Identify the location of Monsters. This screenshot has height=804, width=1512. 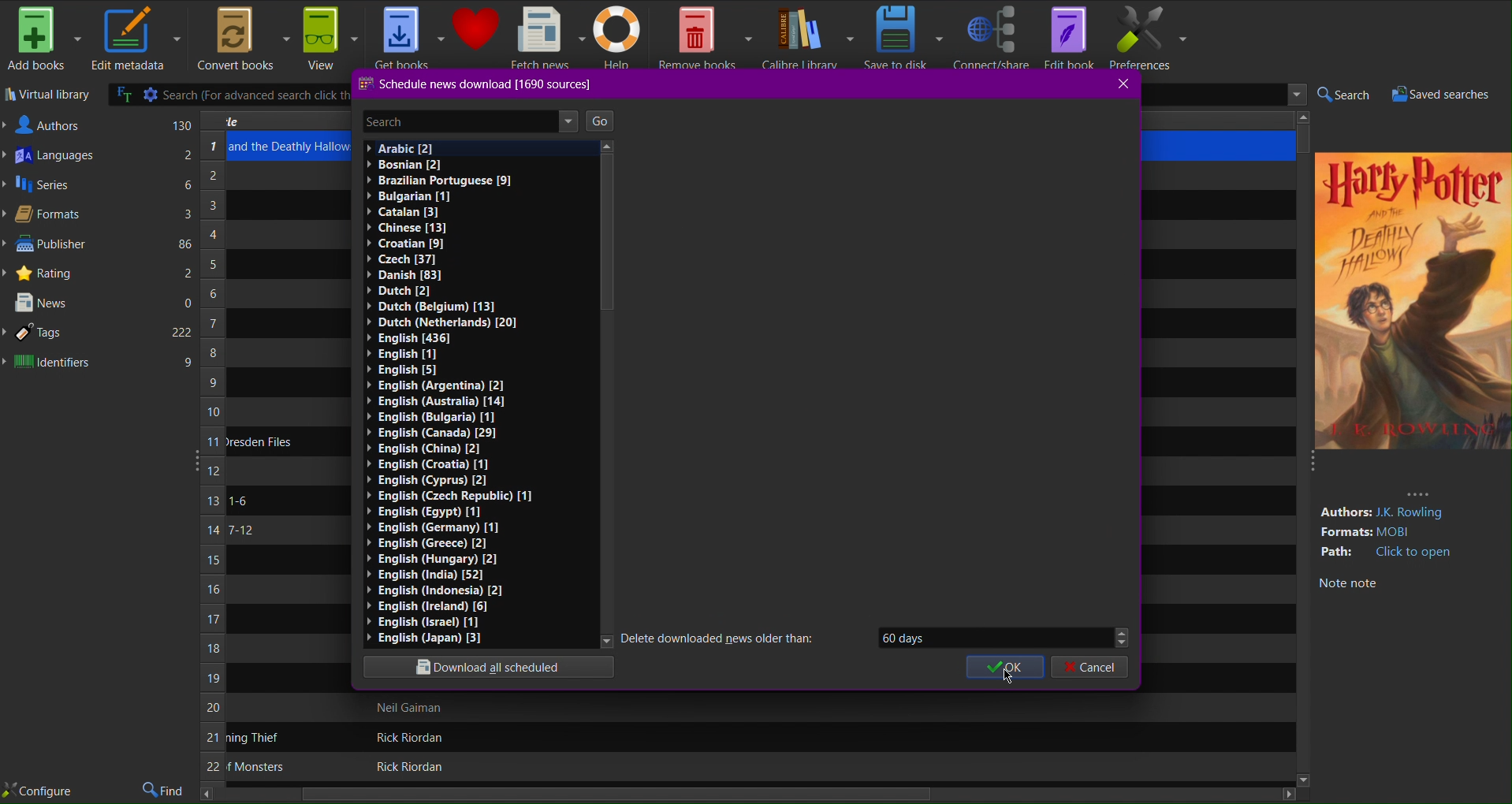
(255, 767).